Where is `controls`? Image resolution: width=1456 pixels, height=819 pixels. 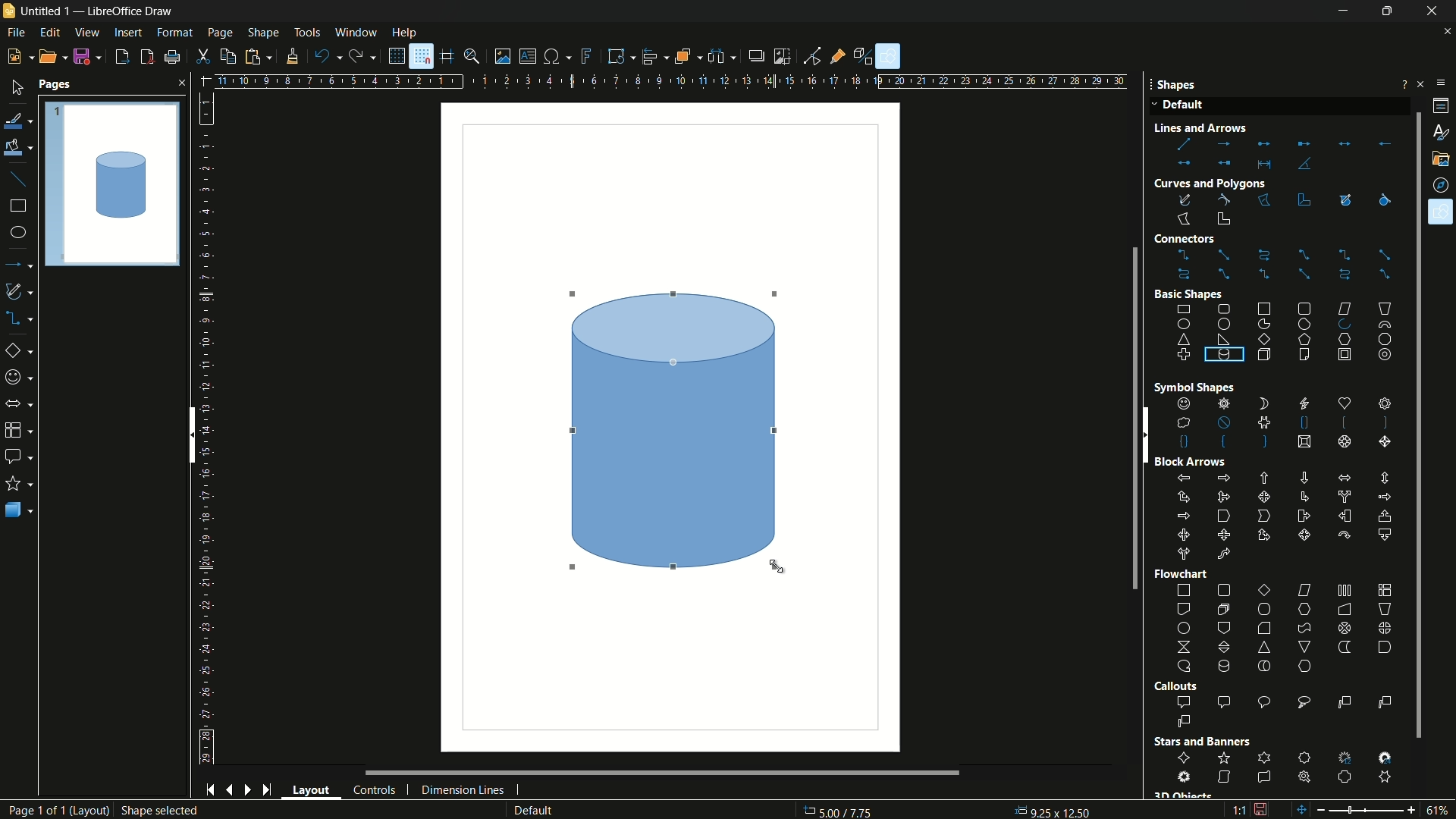
controls is located at coordinates (375, 791).